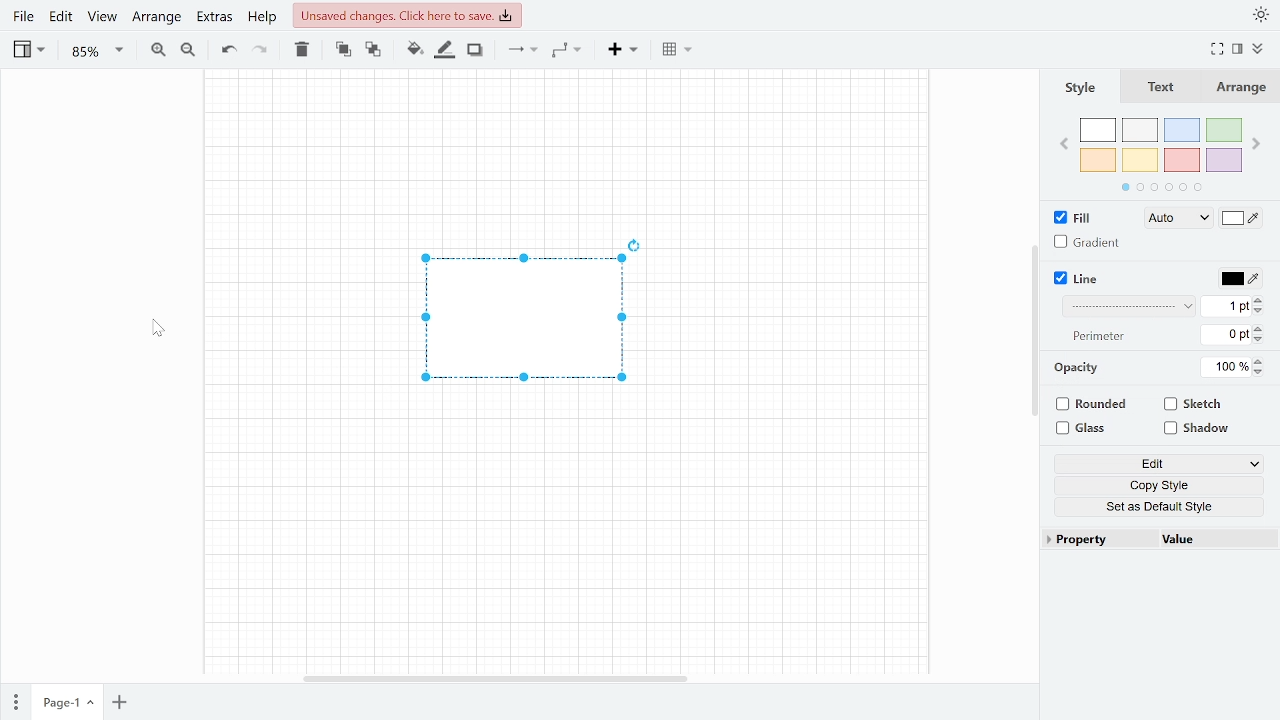 This screenshot has width=1280, height=720. Describe the element at coordinates (94, 52) in the screenshot. I see `Zoom (85%)` at that location.